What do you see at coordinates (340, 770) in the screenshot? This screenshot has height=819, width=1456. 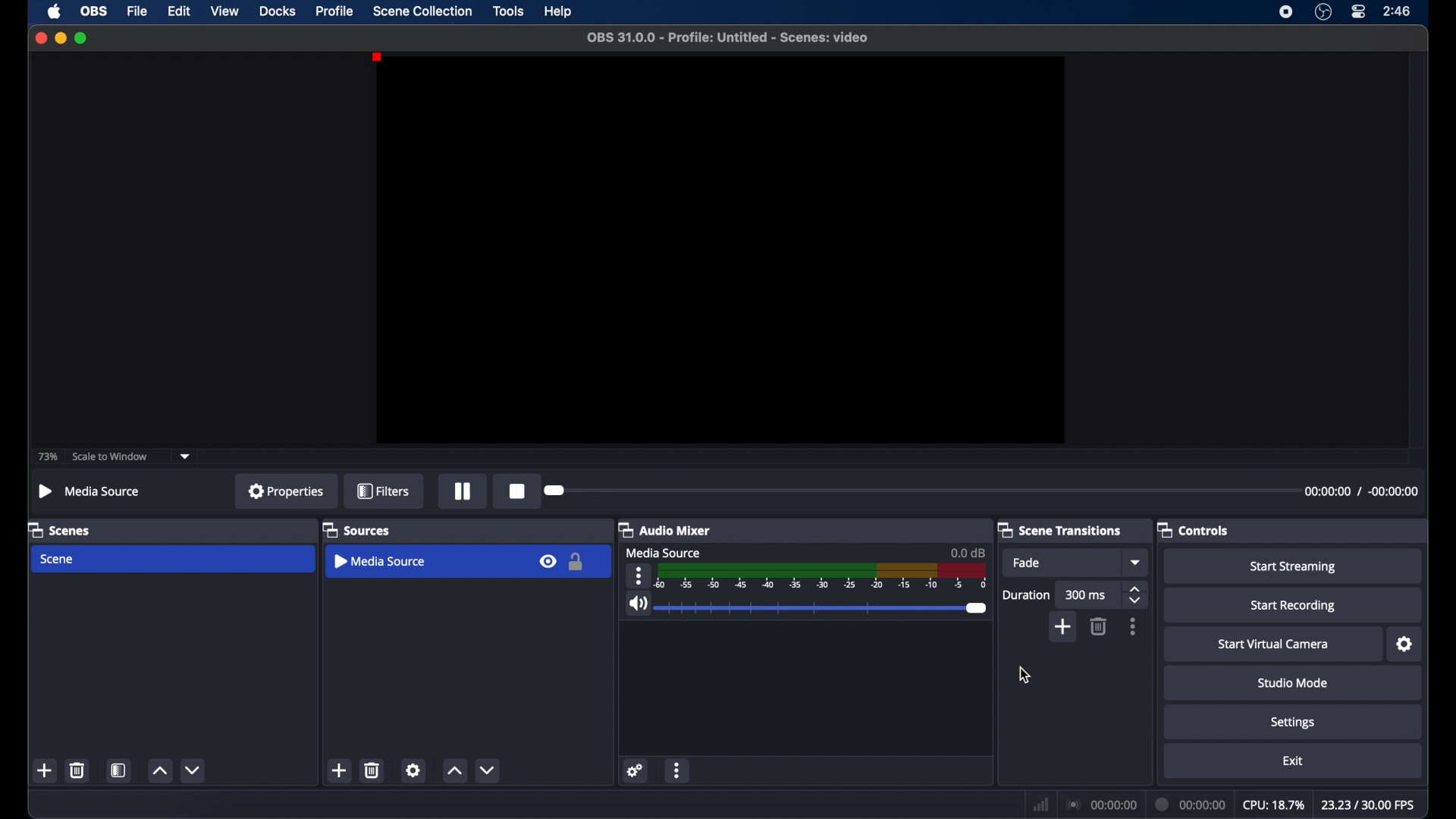 I see `add` at bounding box center [340, 770].